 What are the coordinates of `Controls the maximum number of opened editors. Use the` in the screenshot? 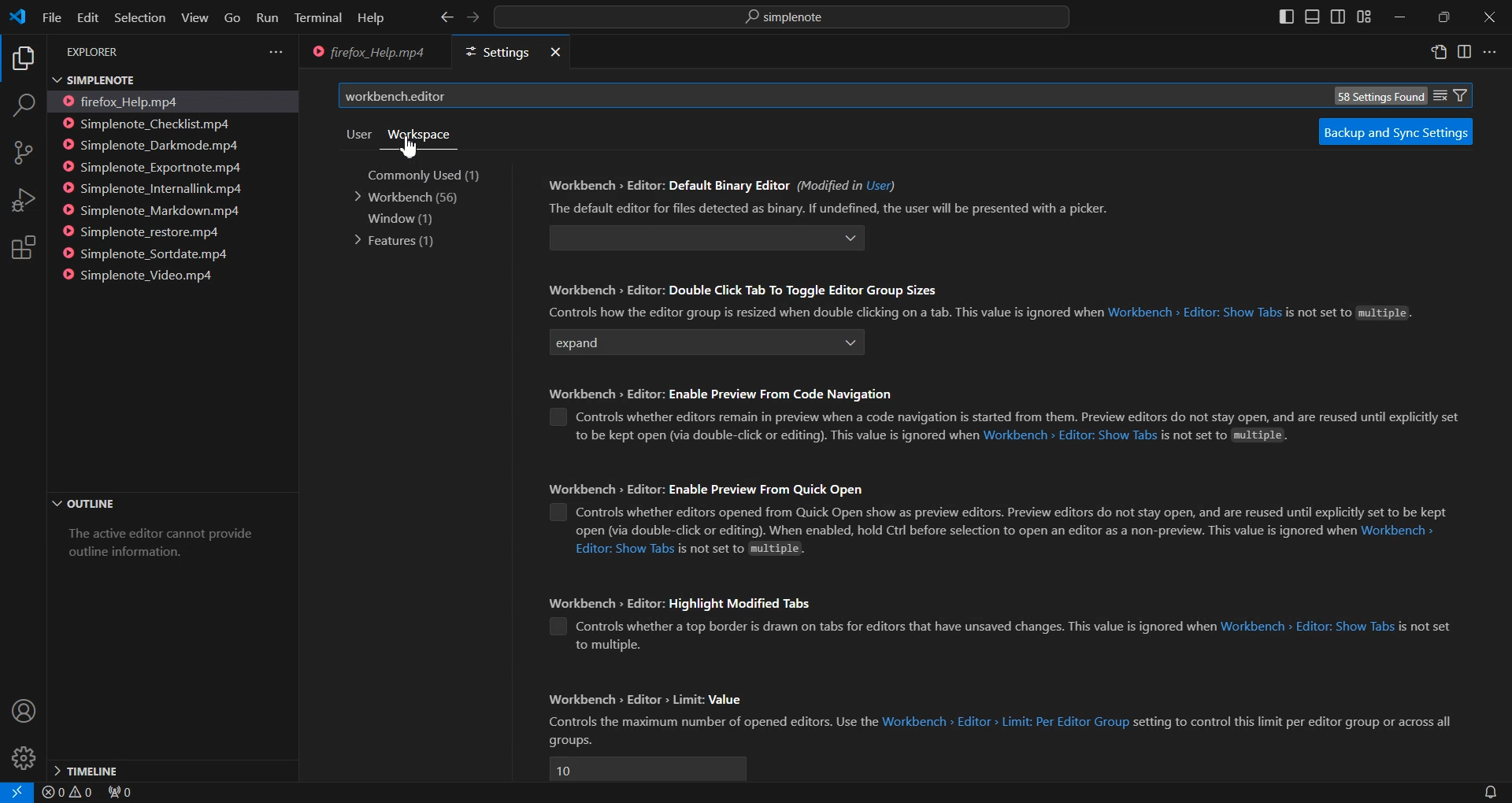 It's located at (711, 722).